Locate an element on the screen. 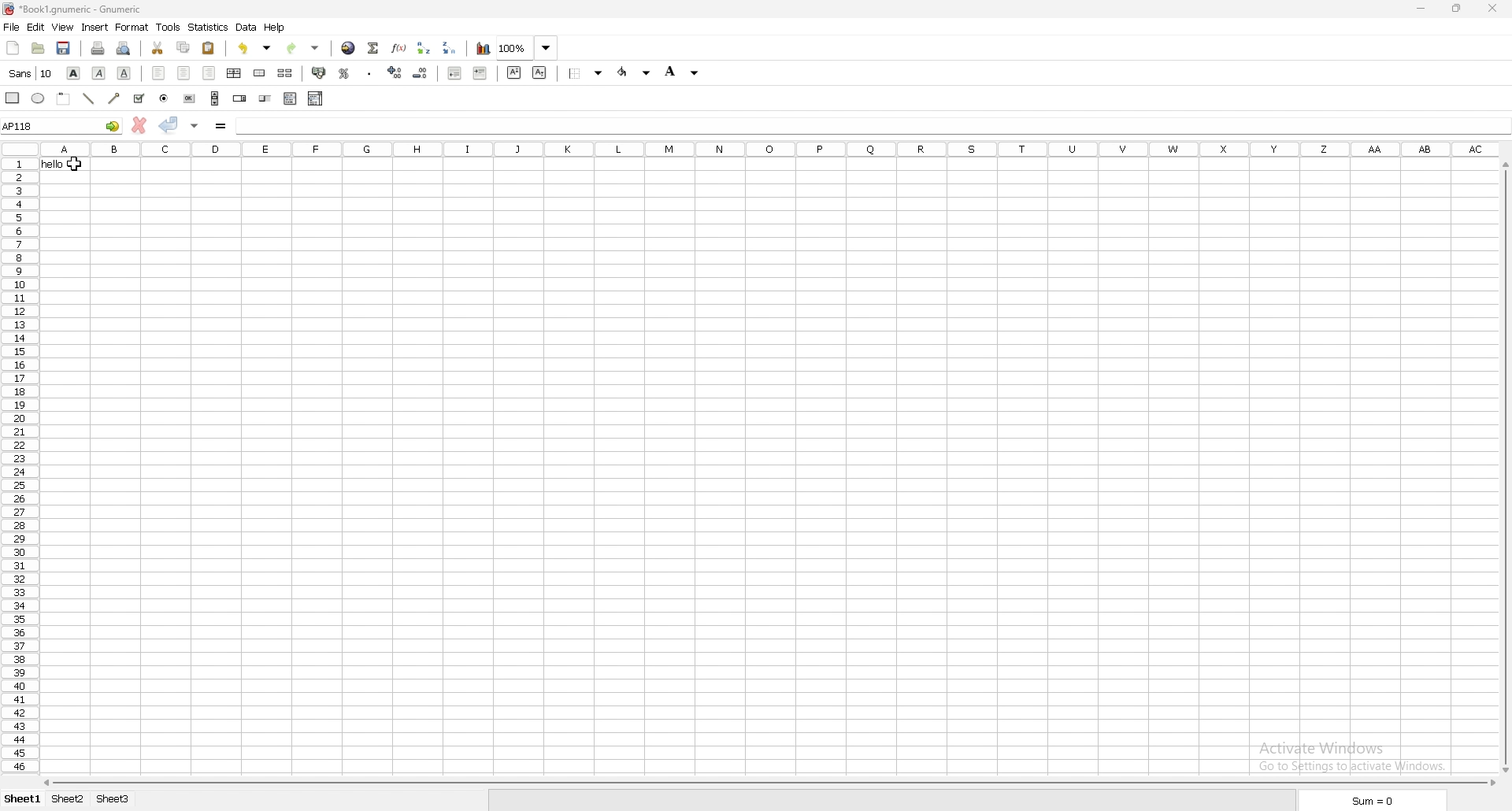 The height and width of the screenshot is (811, 1512). background is located at coordinates (685, 73).